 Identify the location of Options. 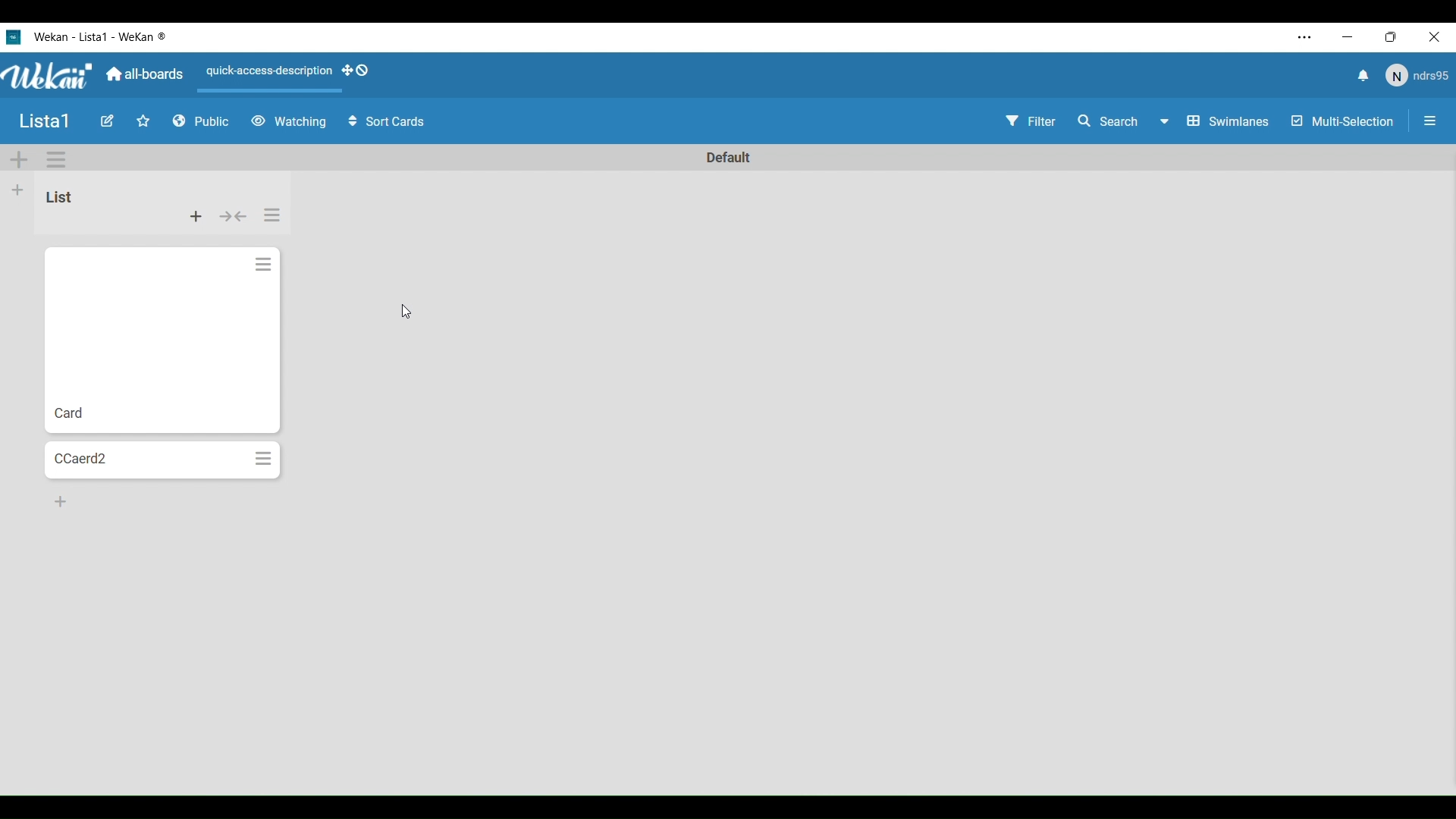
(56, 160).